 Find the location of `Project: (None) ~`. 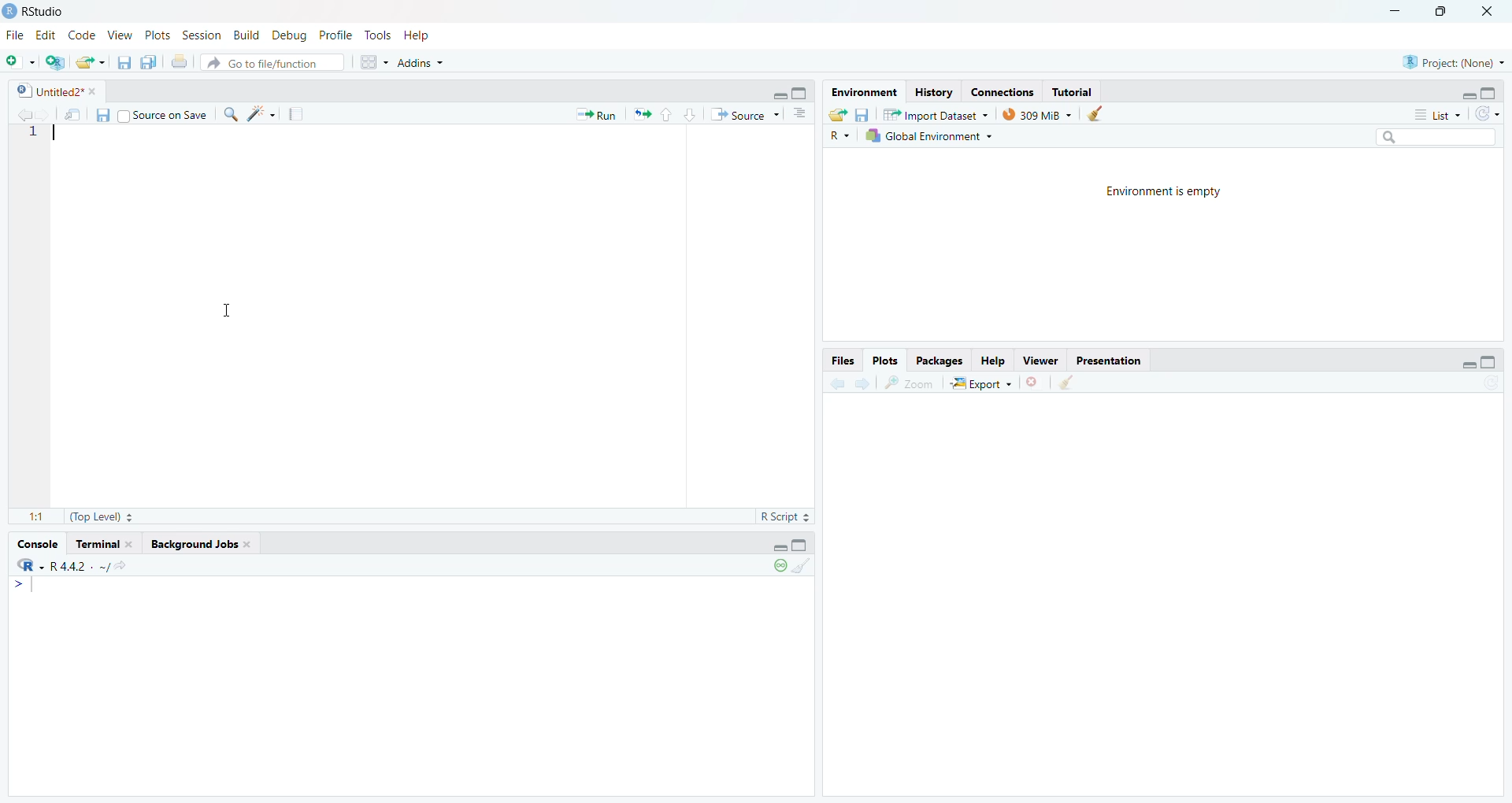

Project: (None) ~ is located at coordinates (1453, 61).